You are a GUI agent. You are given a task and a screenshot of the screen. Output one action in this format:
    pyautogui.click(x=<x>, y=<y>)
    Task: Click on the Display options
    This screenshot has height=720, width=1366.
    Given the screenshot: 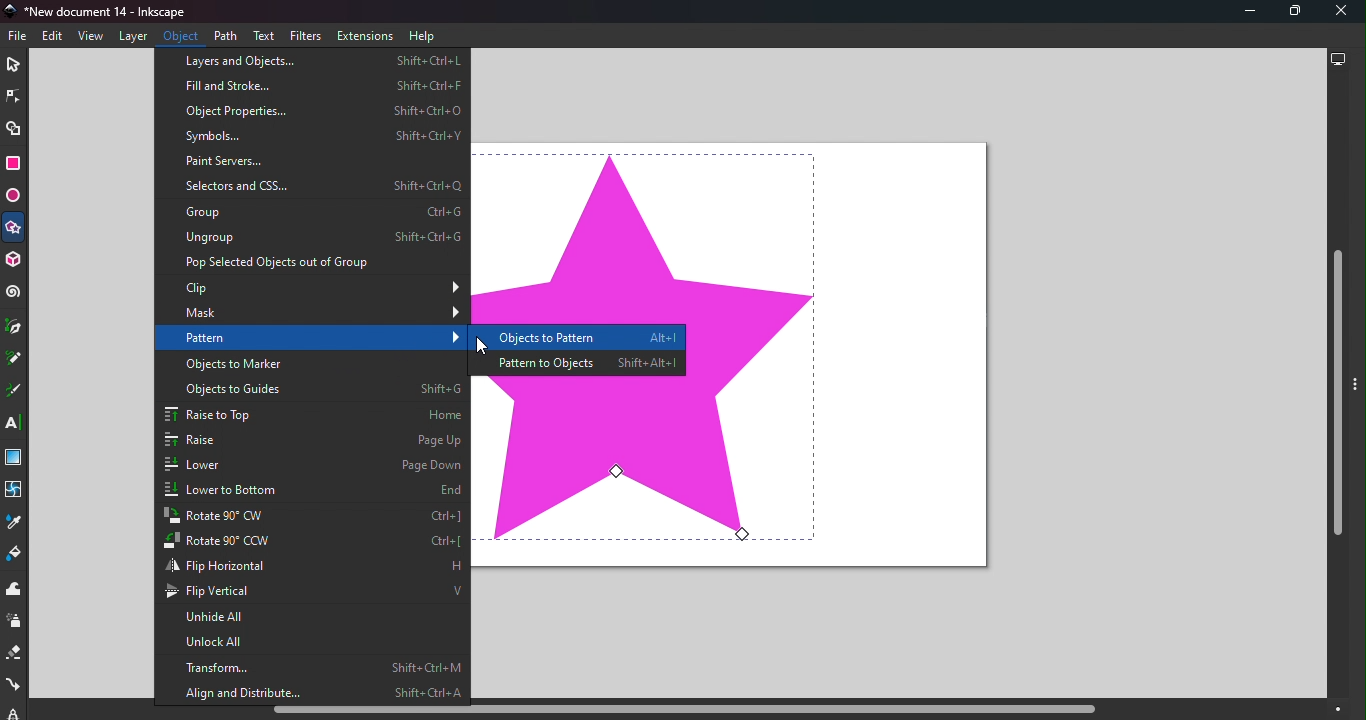 What is the action you would take?
    pyautogui.click(x=1338, y=62)
    